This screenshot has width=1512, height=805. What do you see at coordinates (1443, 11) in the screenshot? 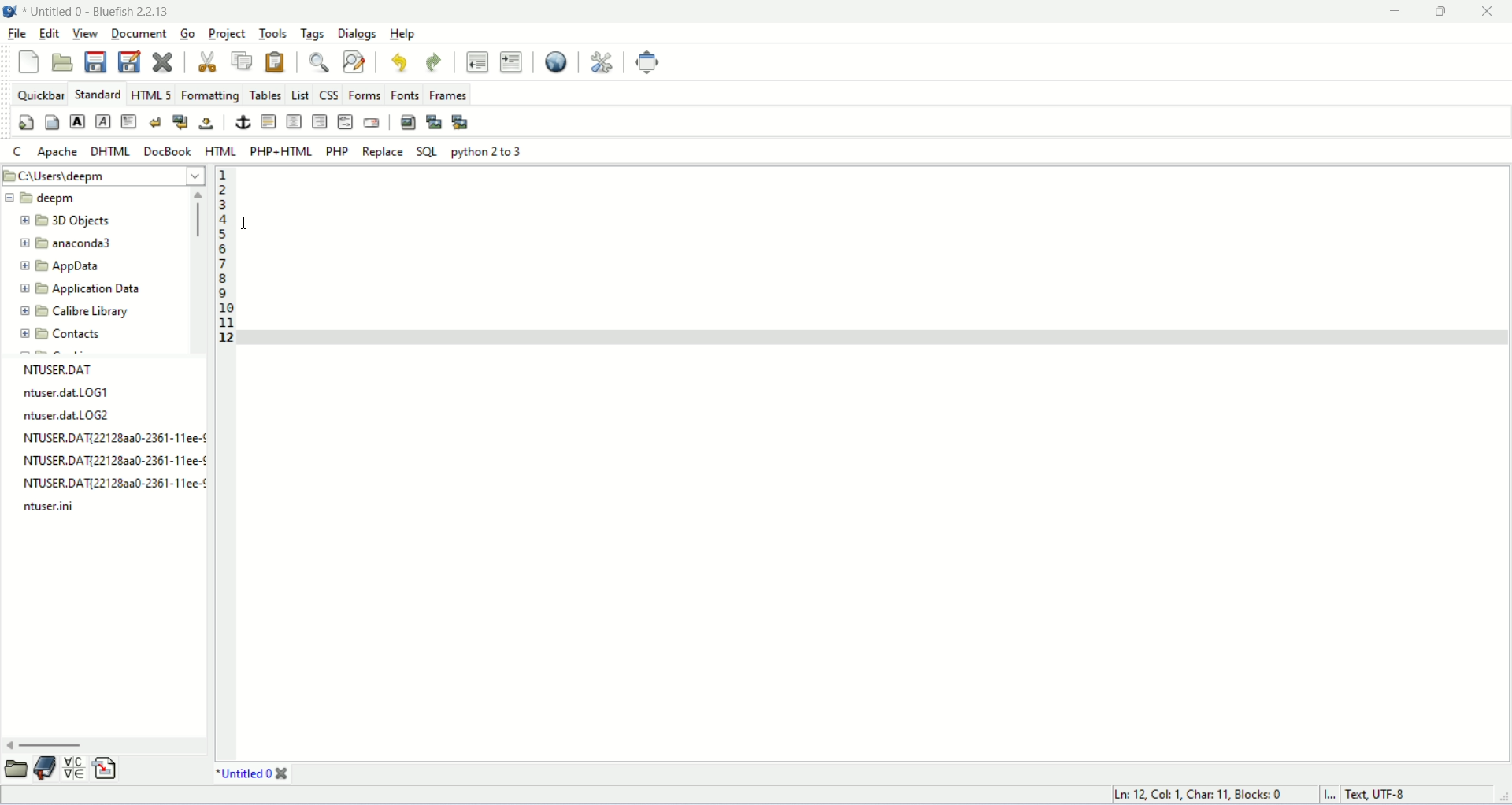
I see `maximize` at bounding box center [1443, 11].